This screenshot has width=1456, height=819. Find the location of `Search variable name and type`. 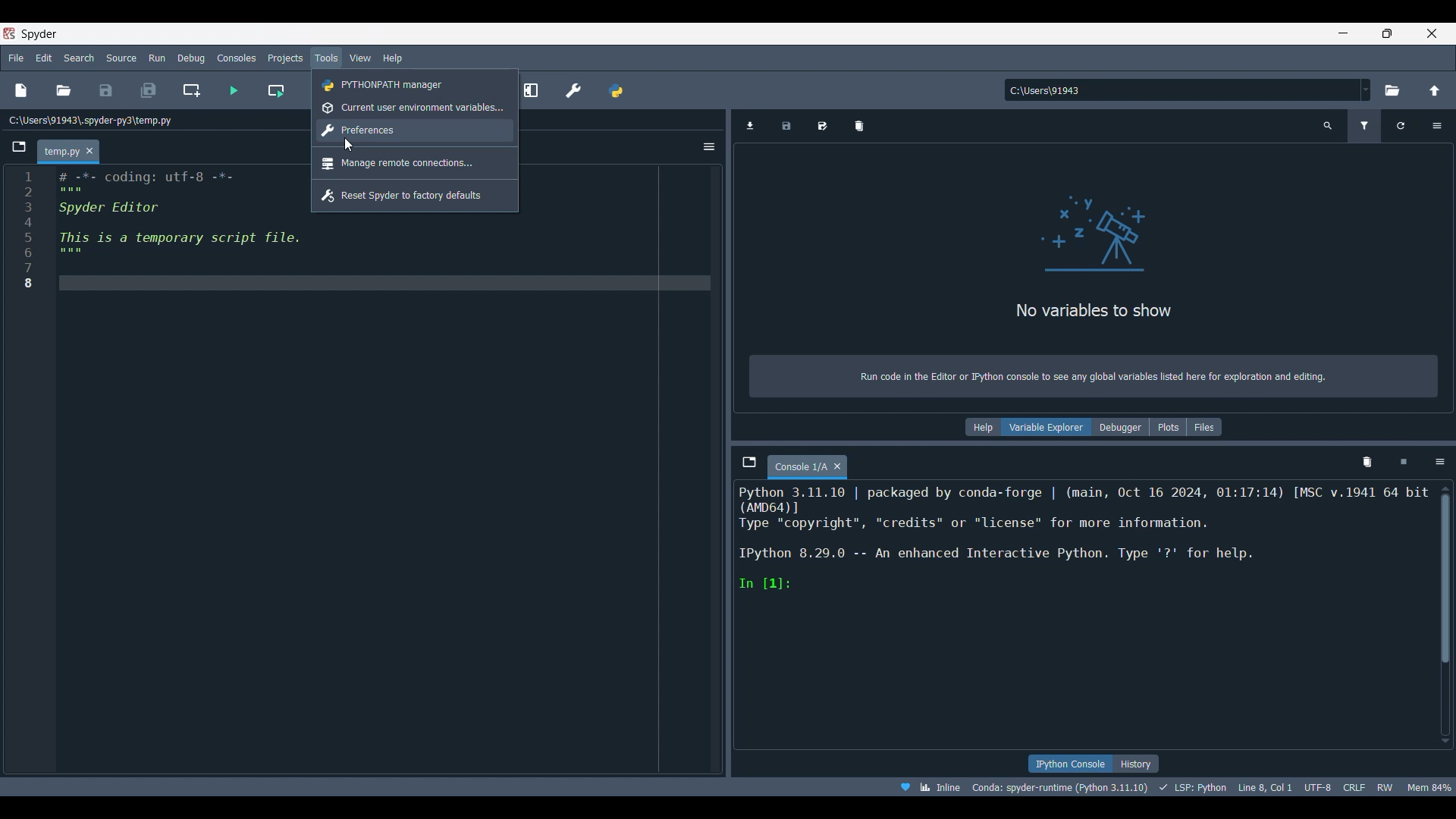

Search variable name and type is located at coordinates (1328, 126).